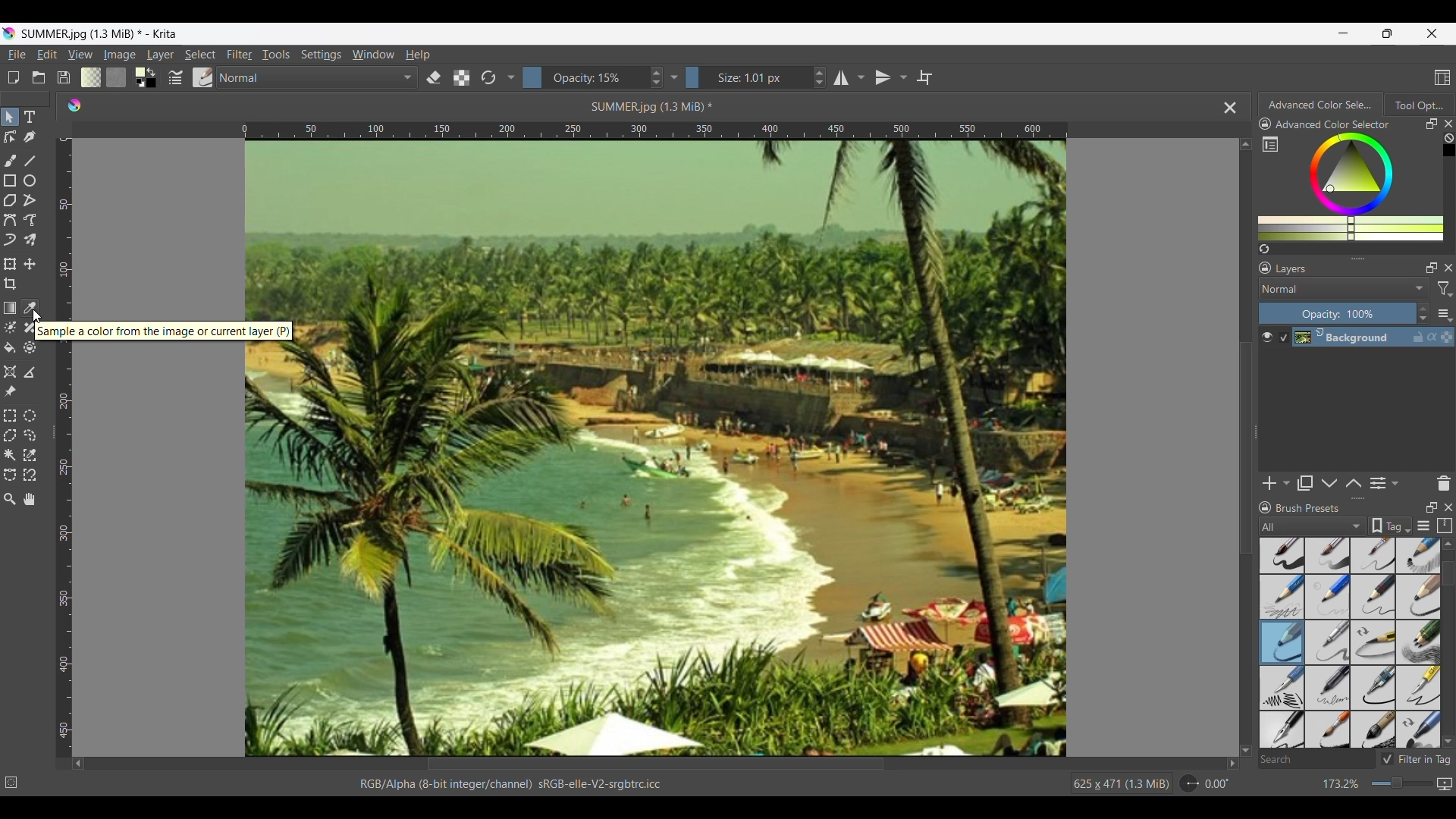 The height and width of the screenshot is (819, 1456). What do you see at coordinates (30, 348) in the screenshot?
I see `Enclose and fill tool` at bounding box center [30, 348].